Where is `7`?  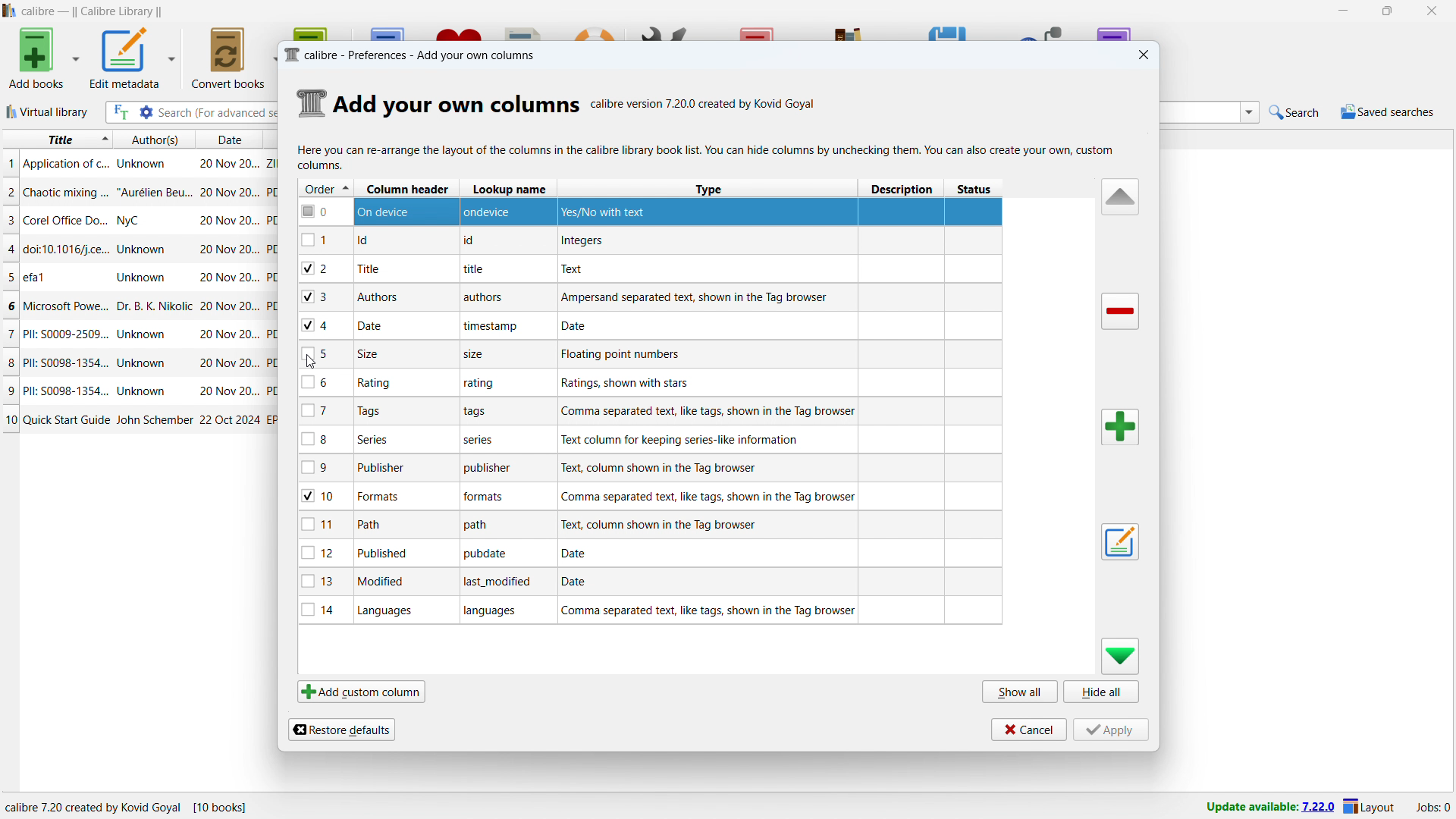 7 is located at coordinates (322, 410).